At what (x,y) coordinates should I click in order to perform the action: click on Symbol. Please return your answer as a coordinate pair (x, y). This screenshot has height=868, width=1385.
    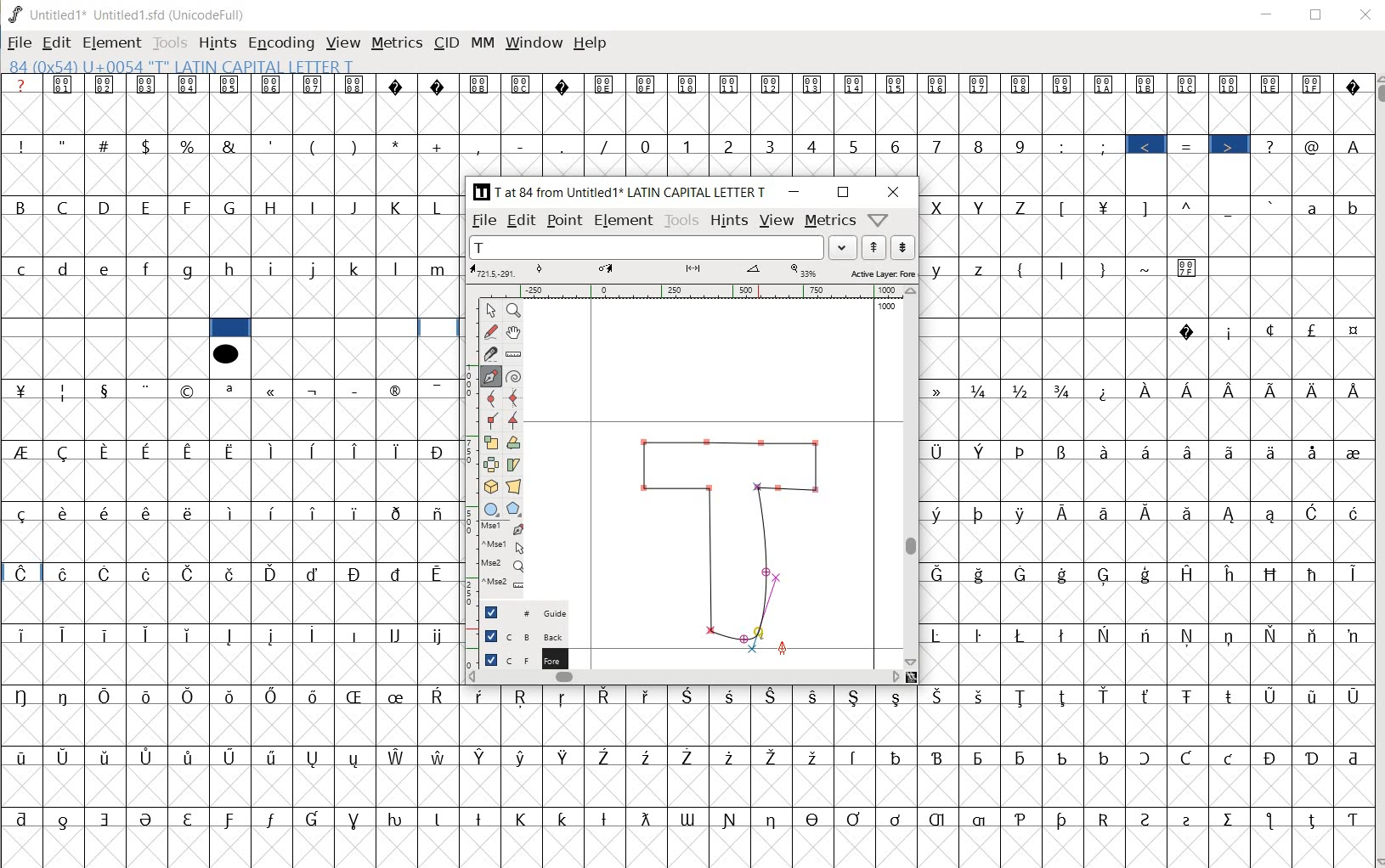
    Looking at the image, I should click on (358, 511).